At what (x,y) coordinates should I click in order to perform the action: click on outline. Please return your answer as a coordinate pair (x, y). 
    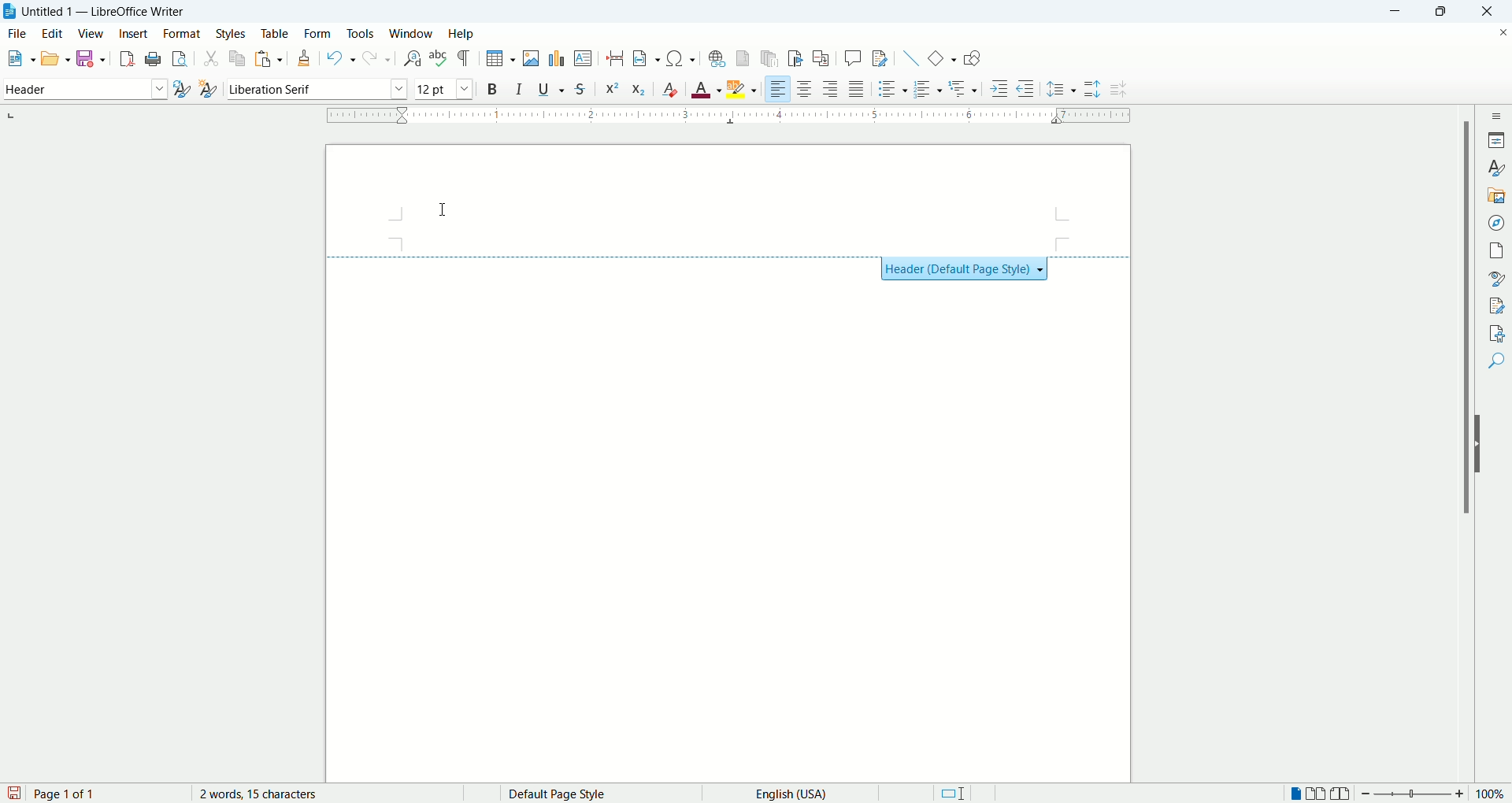
    Looking at the image, I should click on (962, 89).